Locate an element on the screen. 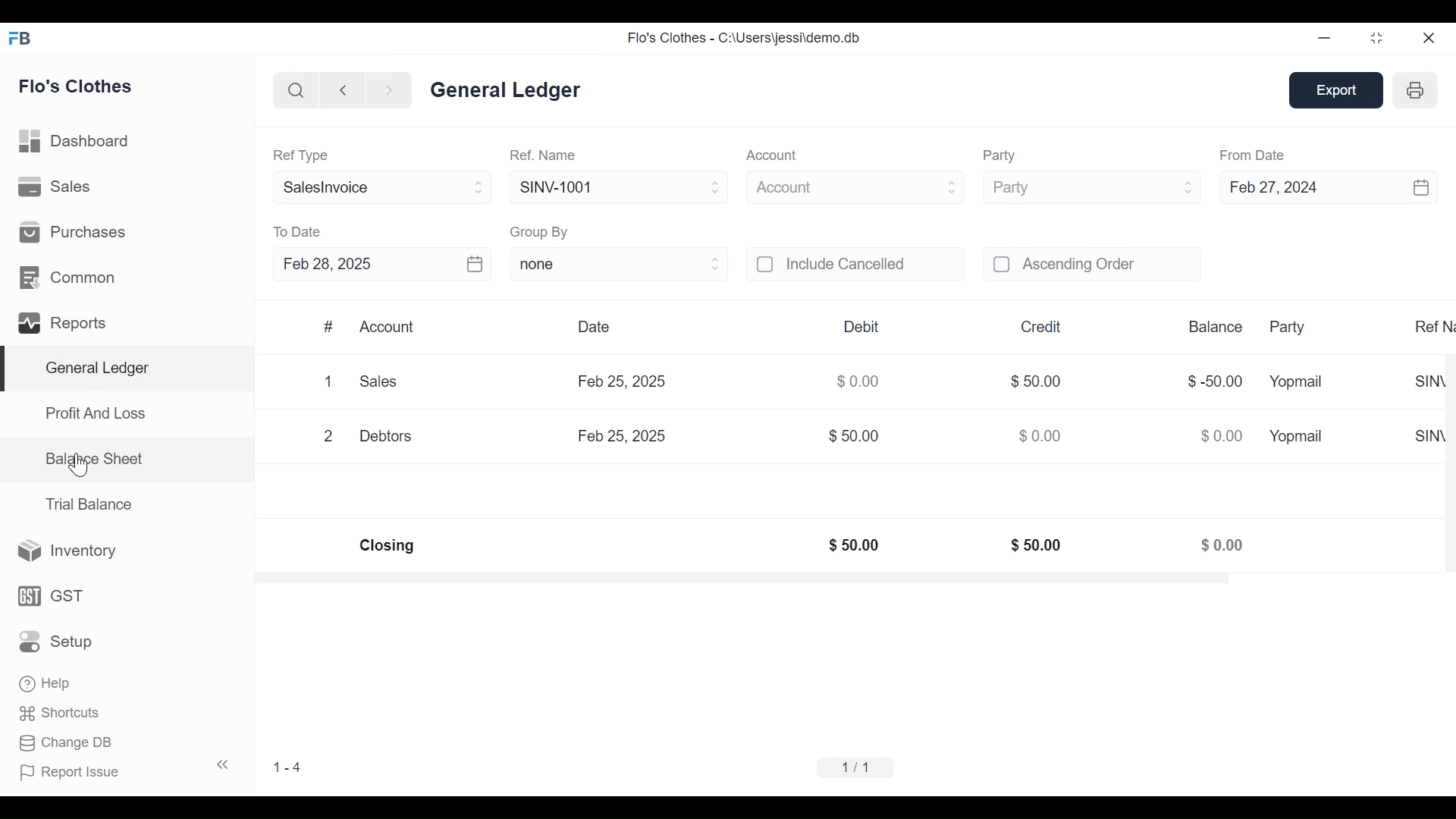 Image resolution: width=1456 pixels, height=819 pixels. Party is located at coordinates (1094, 187).